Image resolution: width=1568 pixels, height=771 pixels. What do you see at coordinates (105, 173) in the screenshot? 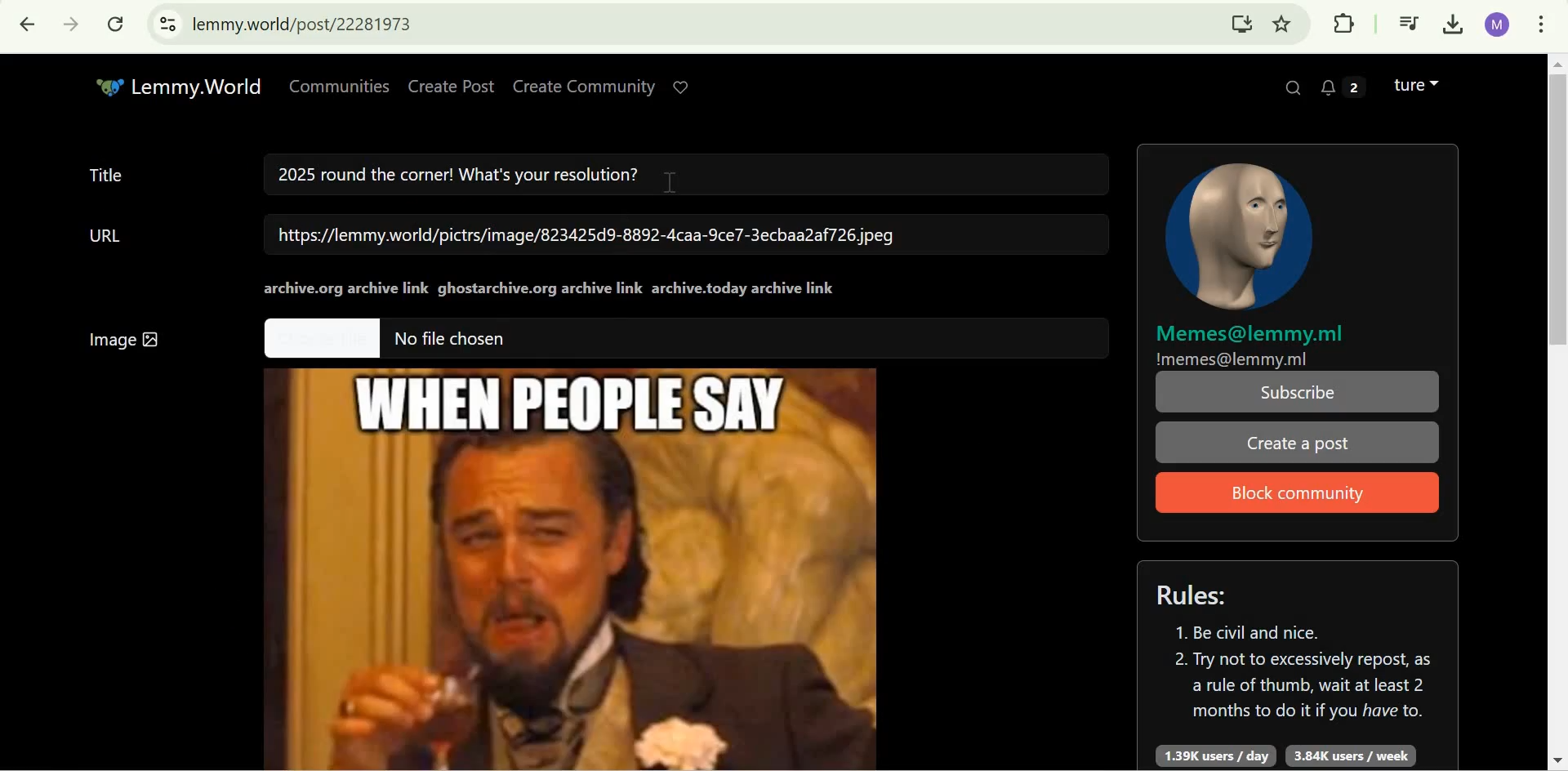
I see `Title` at bounding box center [105, 173].